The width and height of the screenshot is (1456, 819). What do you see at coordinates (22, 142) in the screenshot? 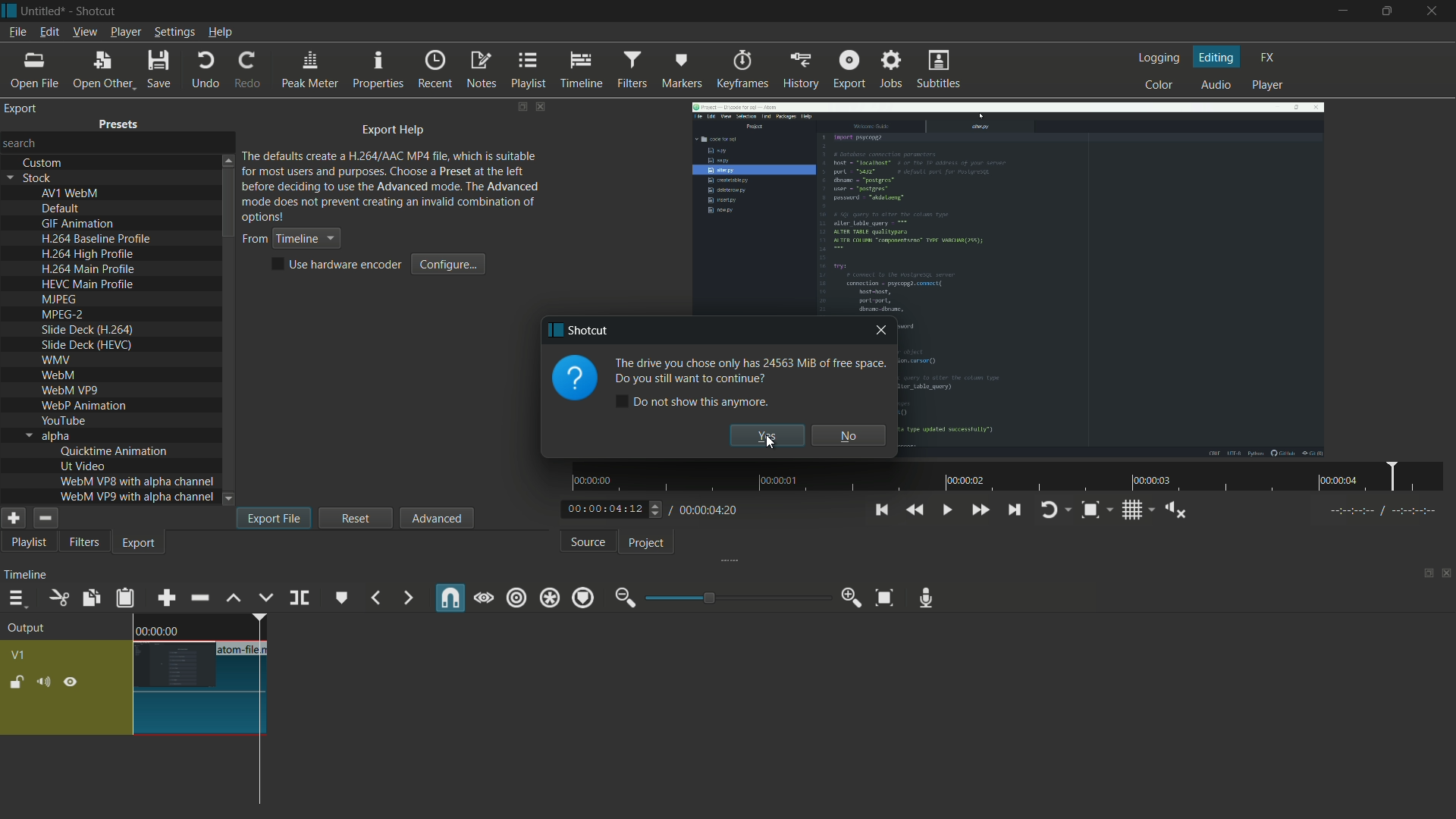
I see `search` at bounding box center [22, 142].